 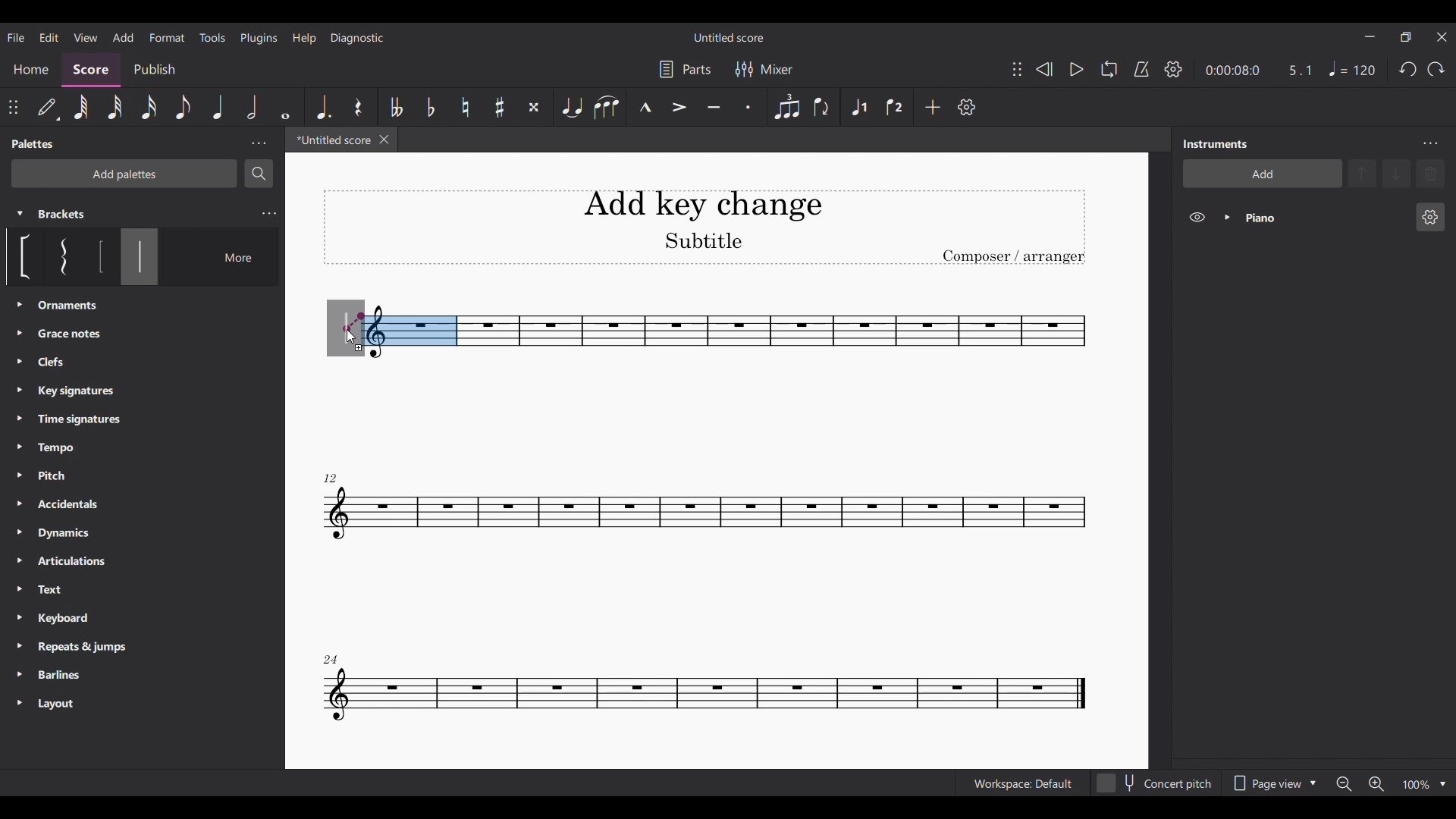 I want to click on Tools menu, so click(x=212, y=38).